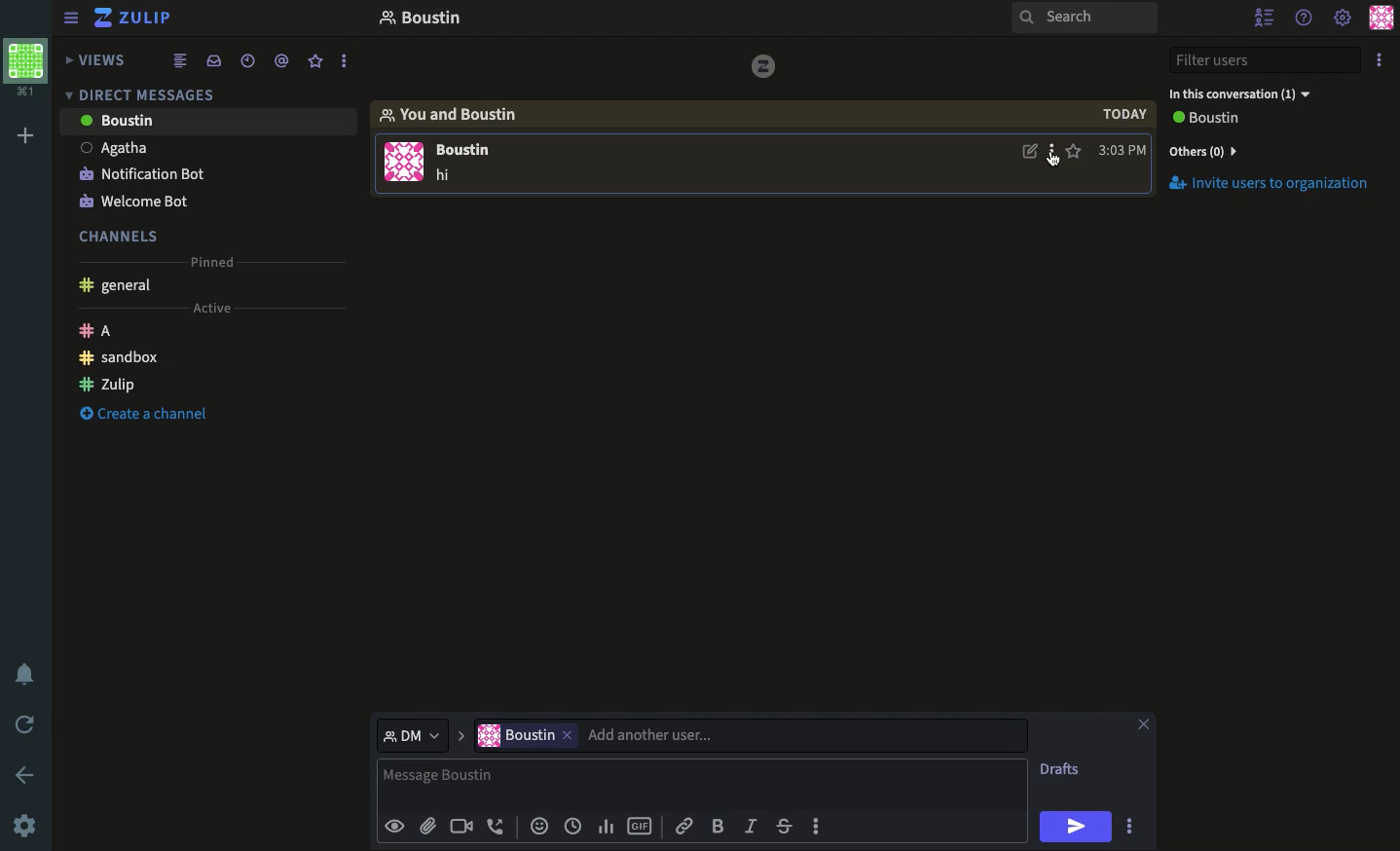 Image resolution: width=1400 pixels, height=851 pixels. I want to click on Message, so click(702, 779).